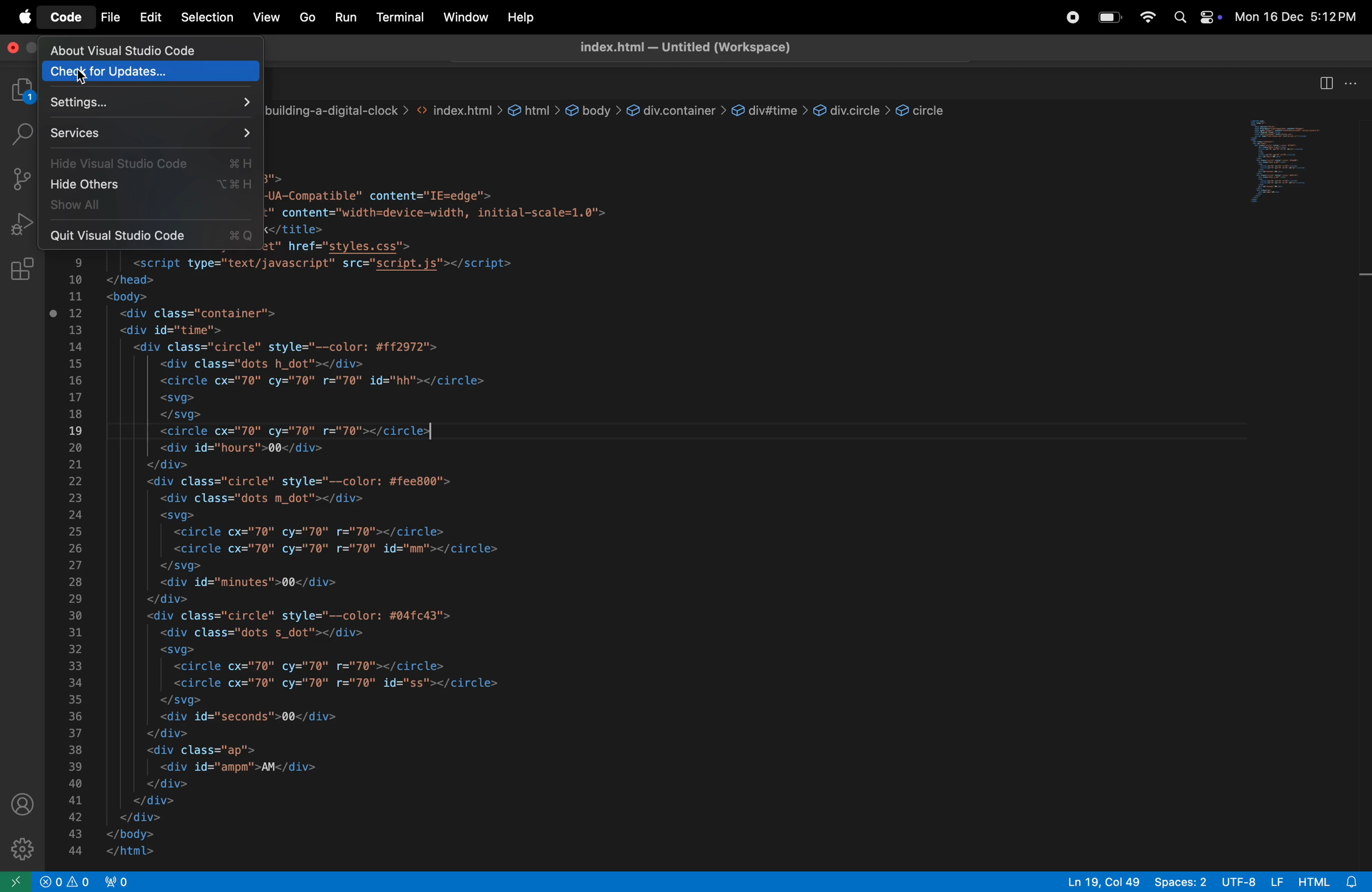 This screenshot has width=1372, height=892. What do you see at coordinates (137, 852) in the screenshot?
I see `</html>` at bounding box center [137, 852].